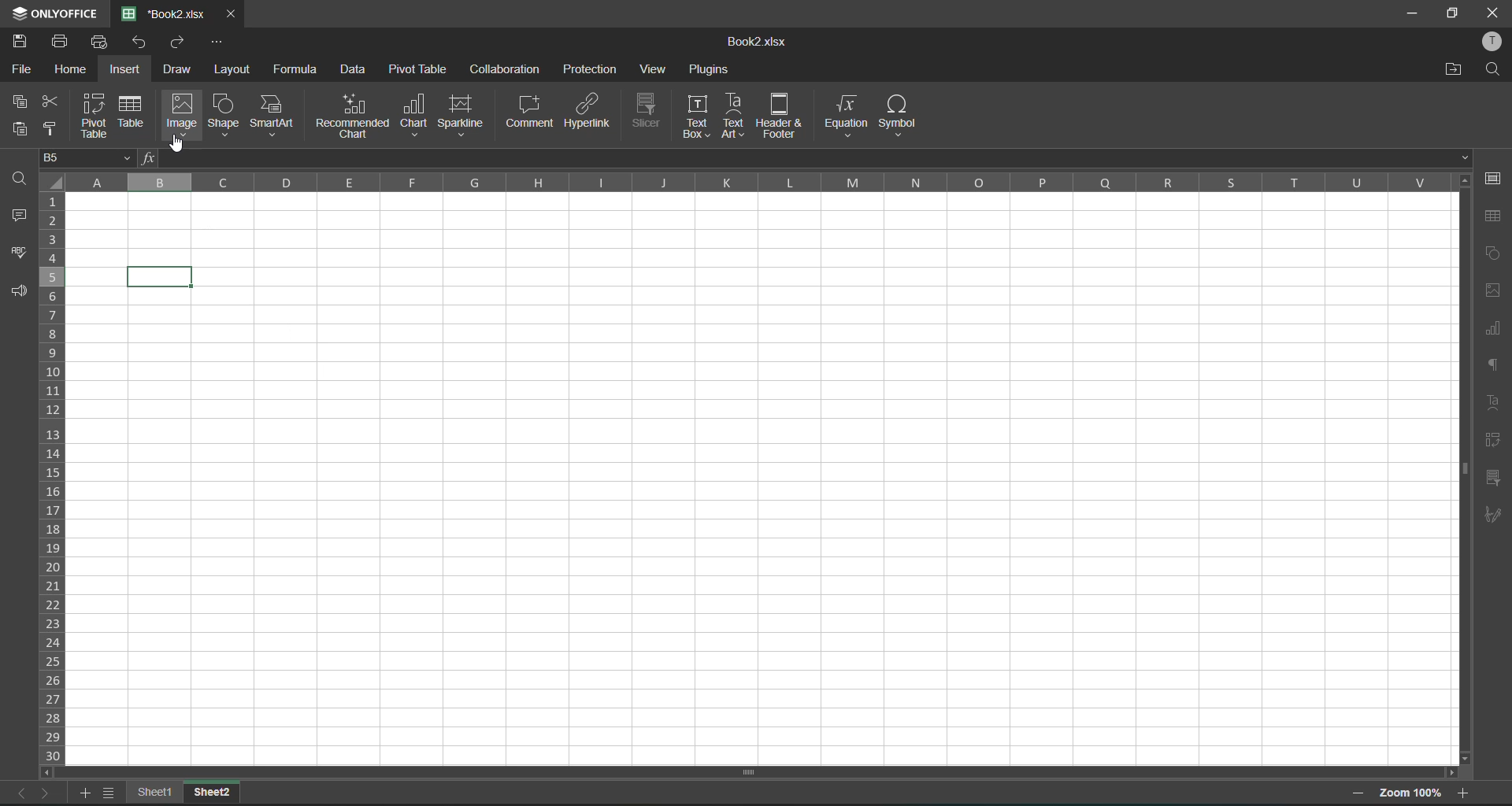 Image resolution: width=1512 pixels, height=806 pixels. Describe the element at coordinates (131, 68) in the screenshot. I see `insert` at that location.